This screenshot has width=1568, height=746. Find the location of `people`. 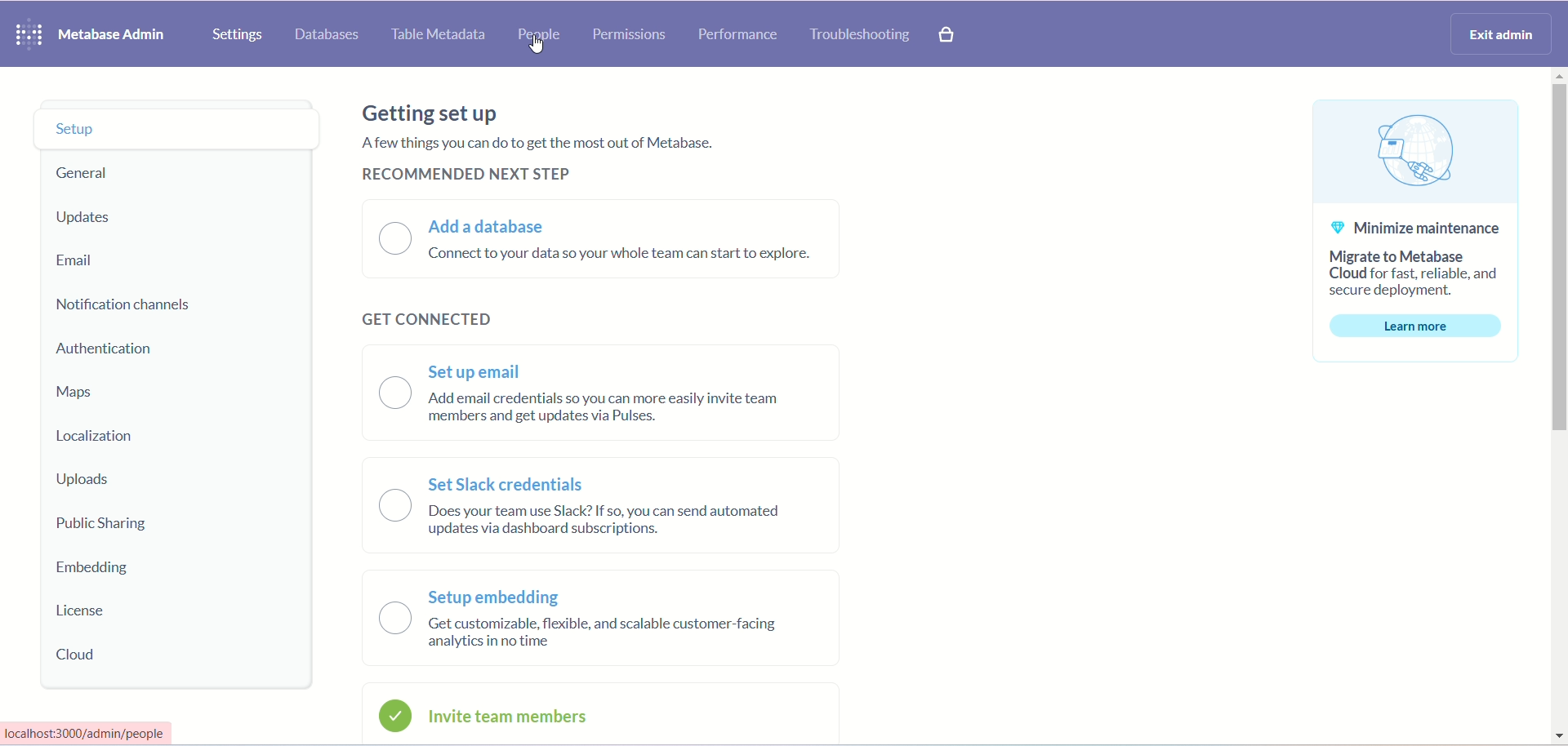

people is located at coordinates (546, 34).